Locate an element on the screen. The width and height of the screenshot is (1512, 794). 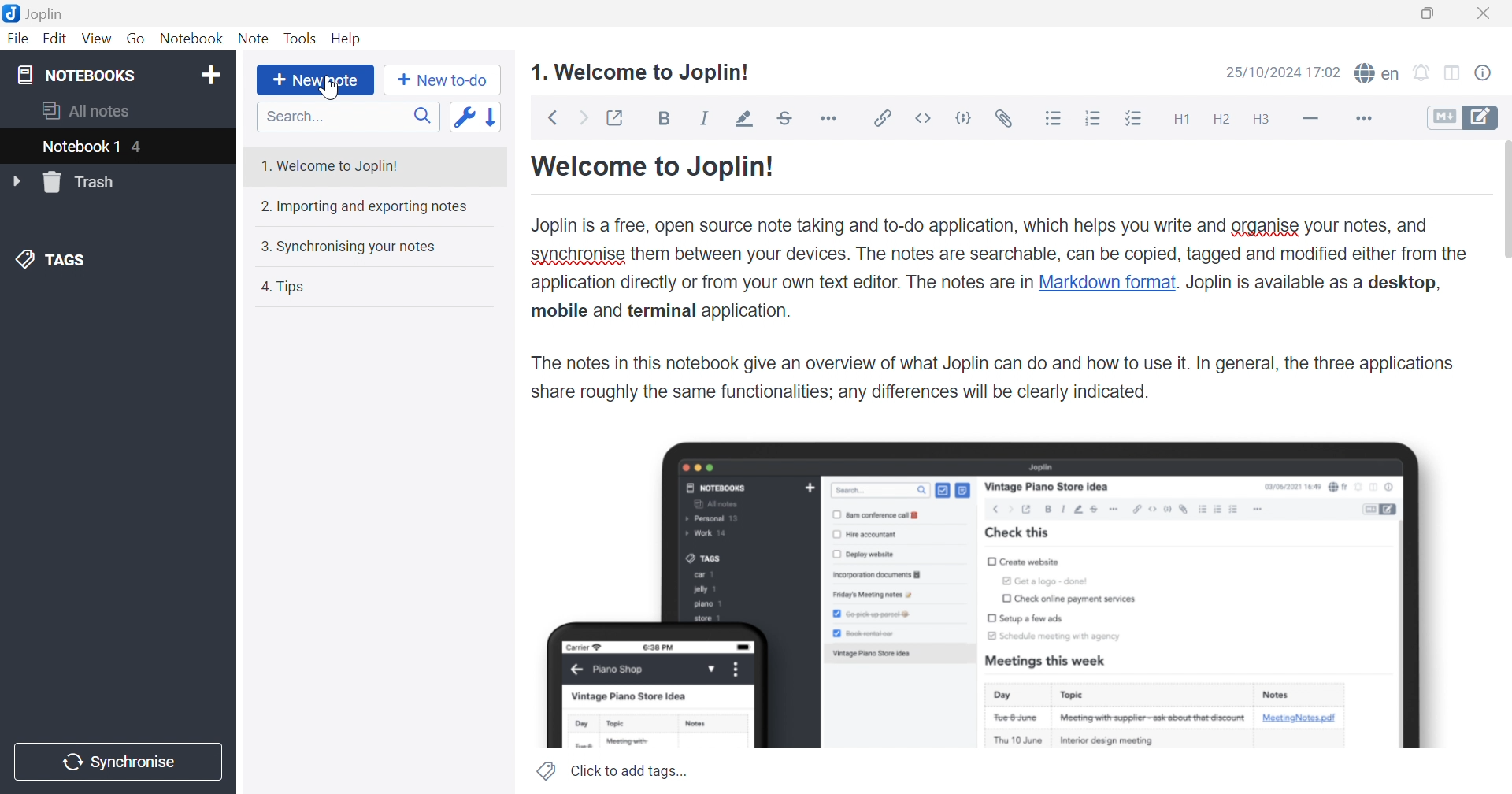
Image is located at coordinates (988, 595).